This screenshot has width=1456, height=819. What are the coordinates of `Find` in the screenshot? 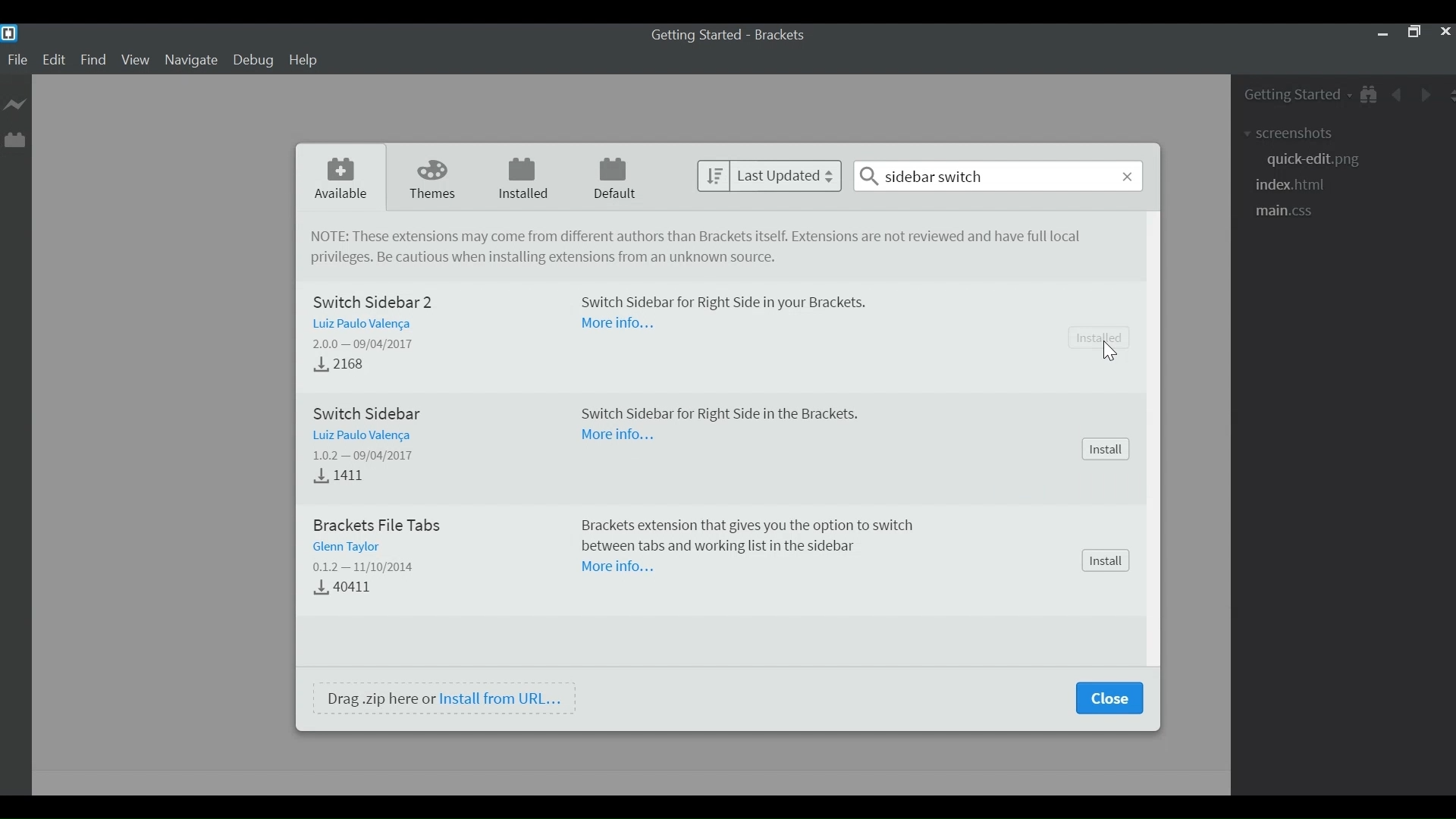 It's located at (93, 61).